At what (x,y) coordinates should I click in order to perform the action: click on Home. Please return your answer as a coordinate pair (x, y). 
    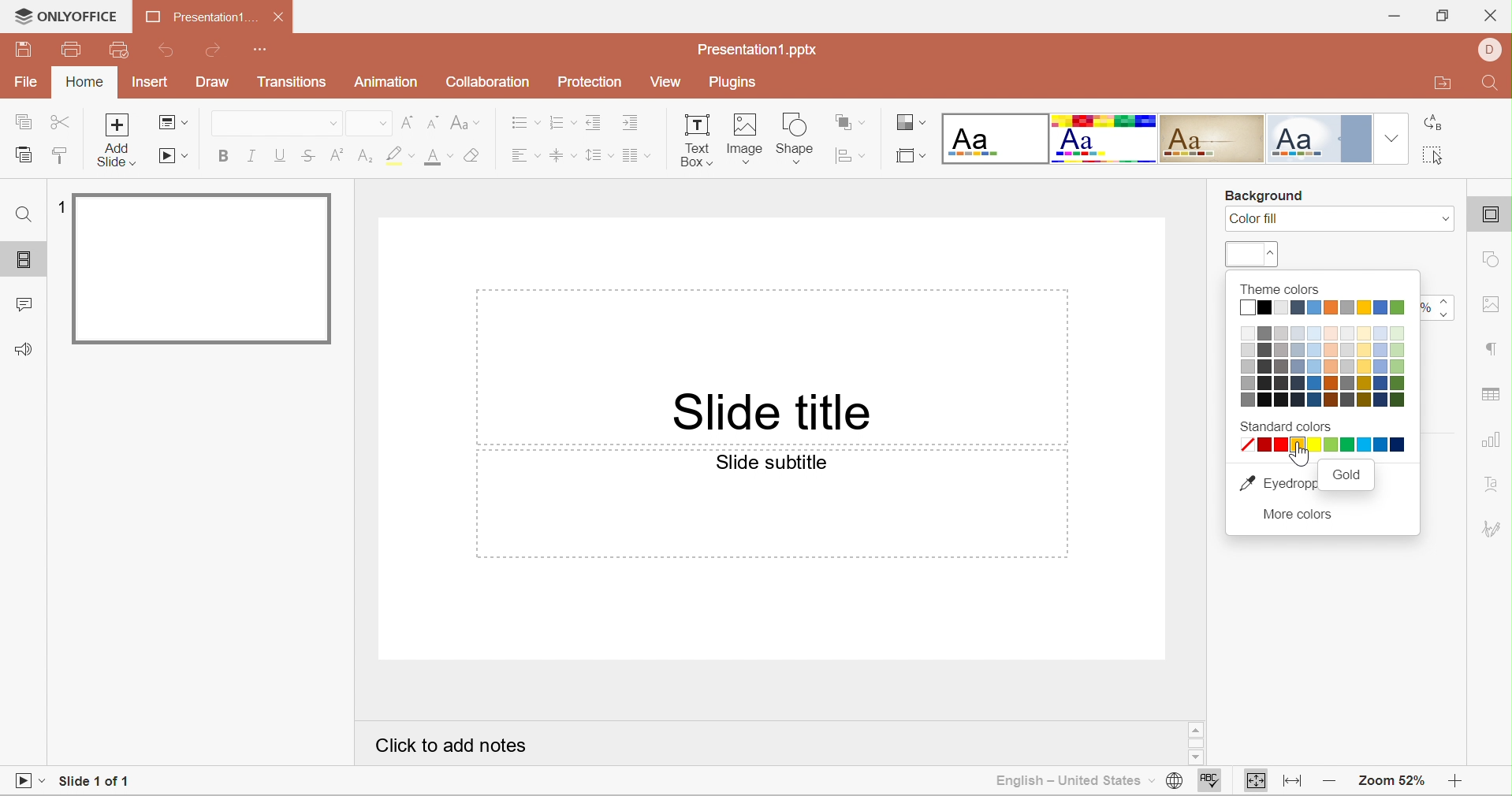
    Looking at the image, I should click on (88, 83).